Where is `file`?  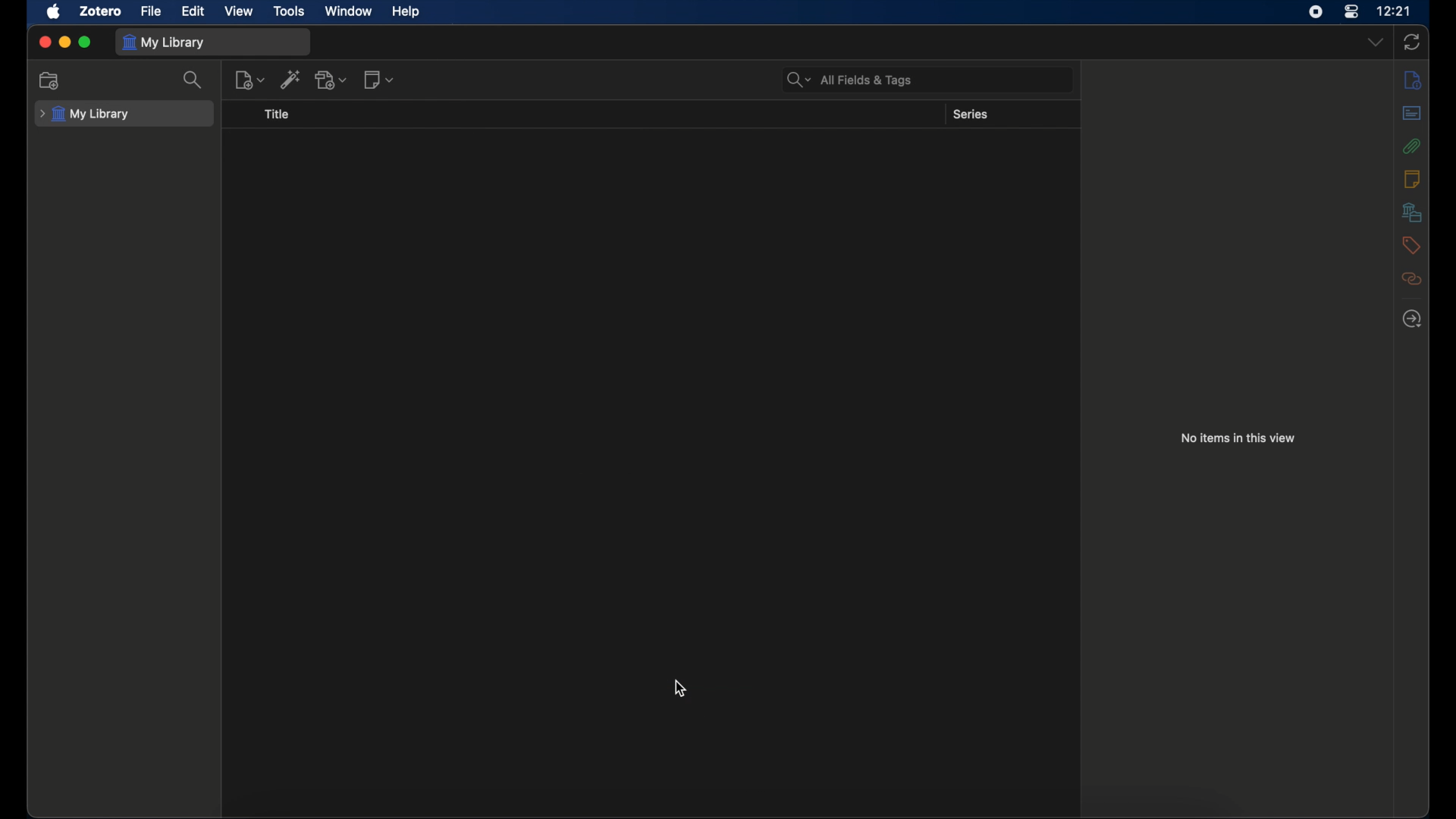
file is located at coordinates (152, 11).